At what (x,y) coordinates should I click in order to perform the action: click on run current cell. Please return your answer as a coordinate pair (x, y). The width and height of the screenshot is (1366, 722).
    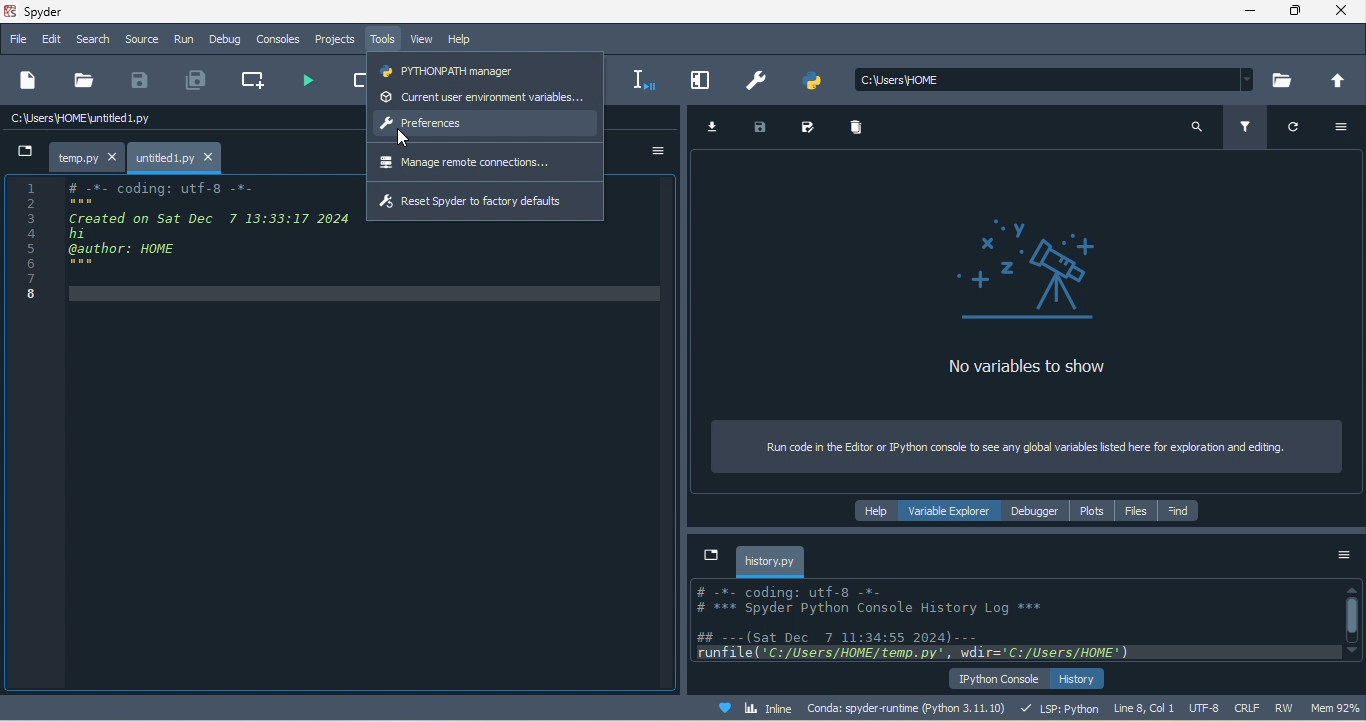
    Looking at the image, I should click on (355, 81).